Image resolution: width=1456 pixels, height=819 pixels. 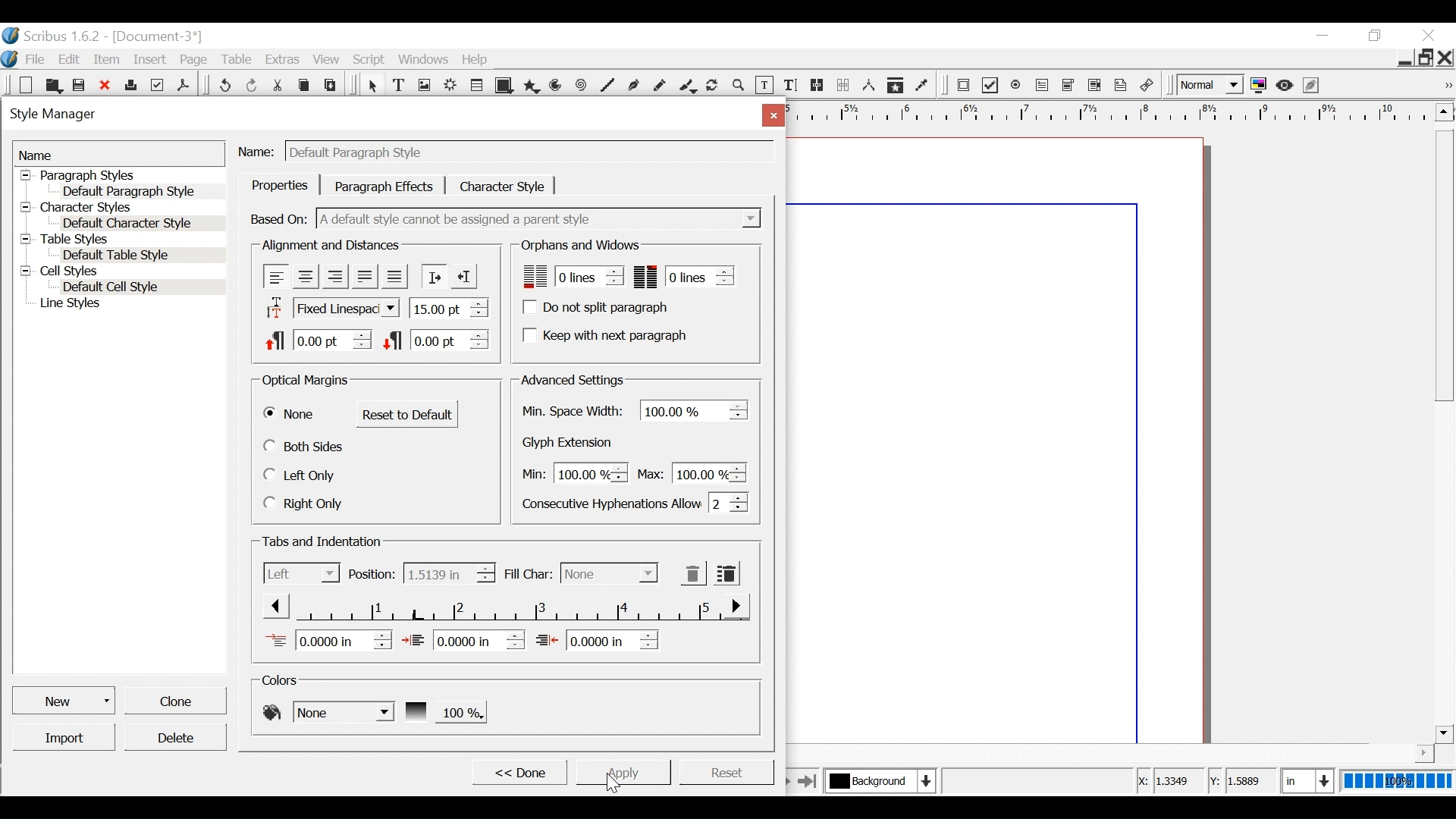 What do you see at coordinates (129, 305) in the screenshot?
I see `line Styles` at bounding box center [129, 305].